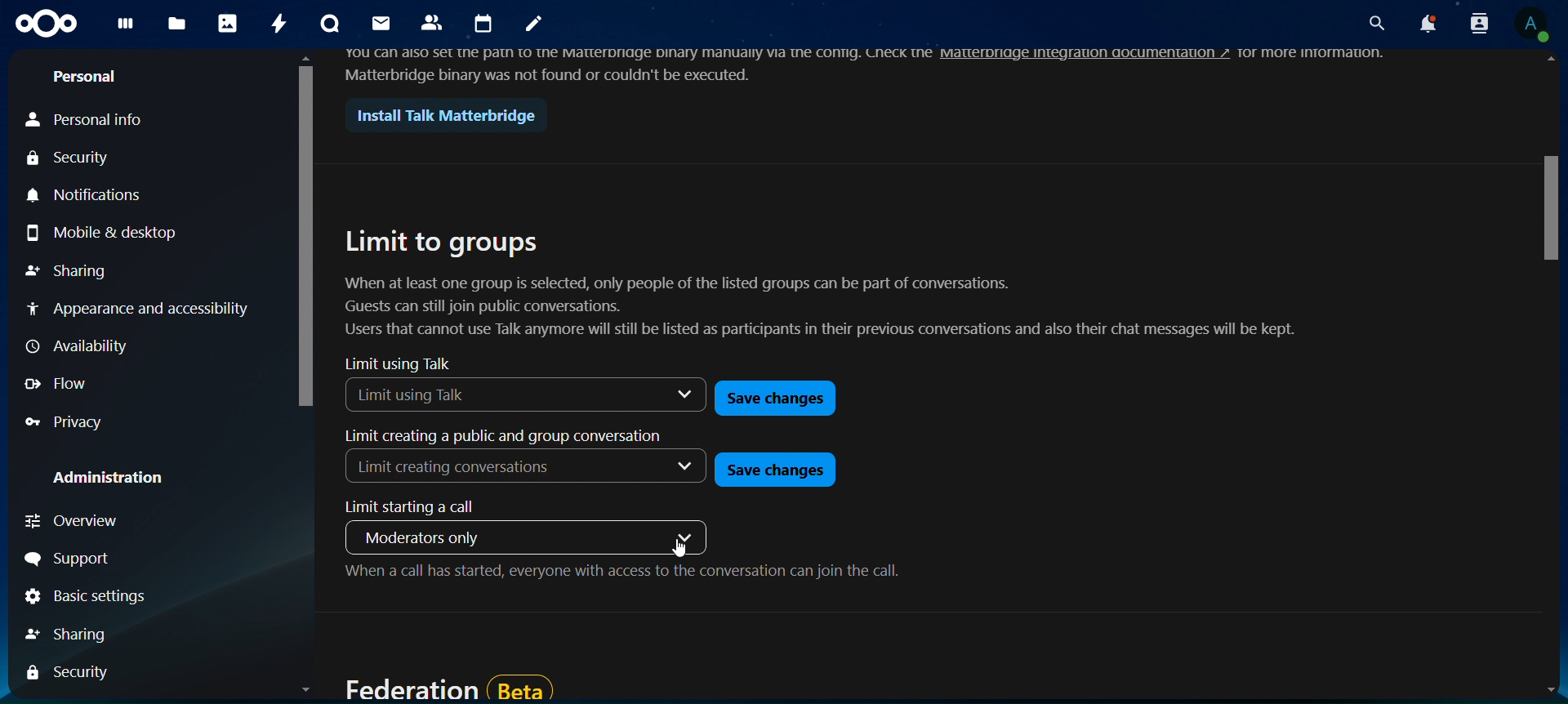  I want to click on personal info, so click(89, 118).